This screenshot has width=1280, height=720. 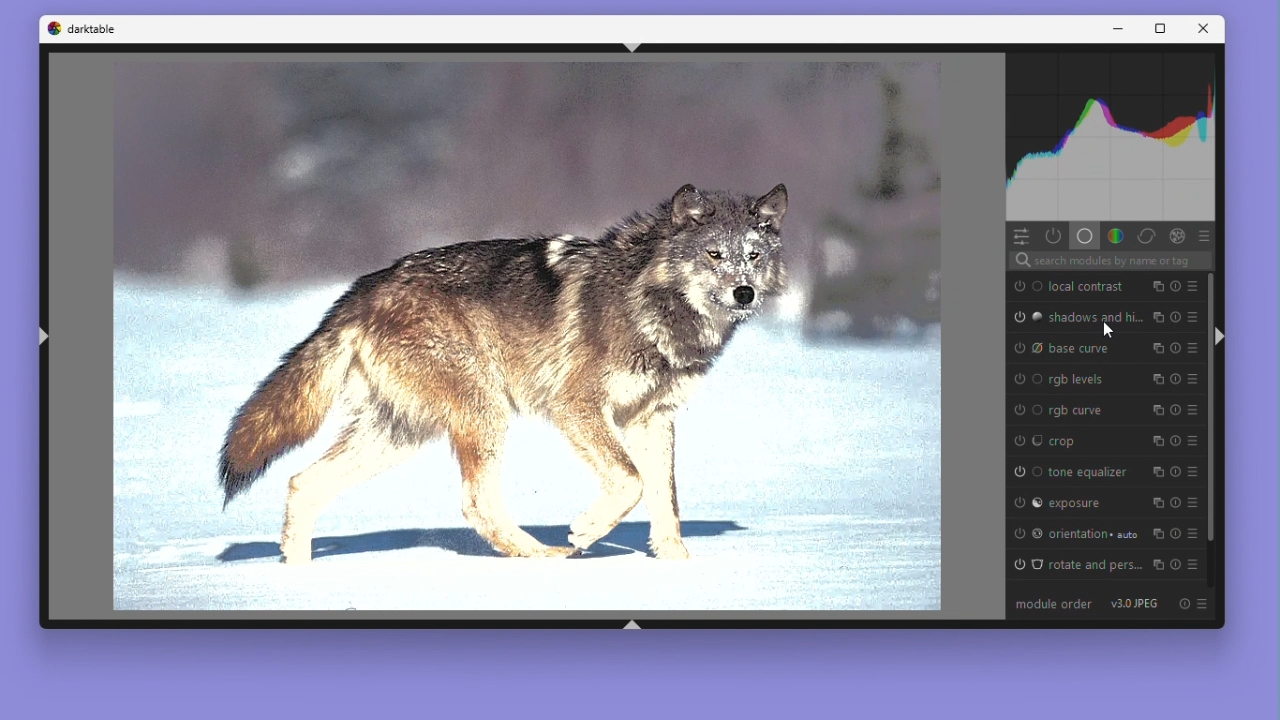 I want to click on base curve, so click(x=1083, y=351).